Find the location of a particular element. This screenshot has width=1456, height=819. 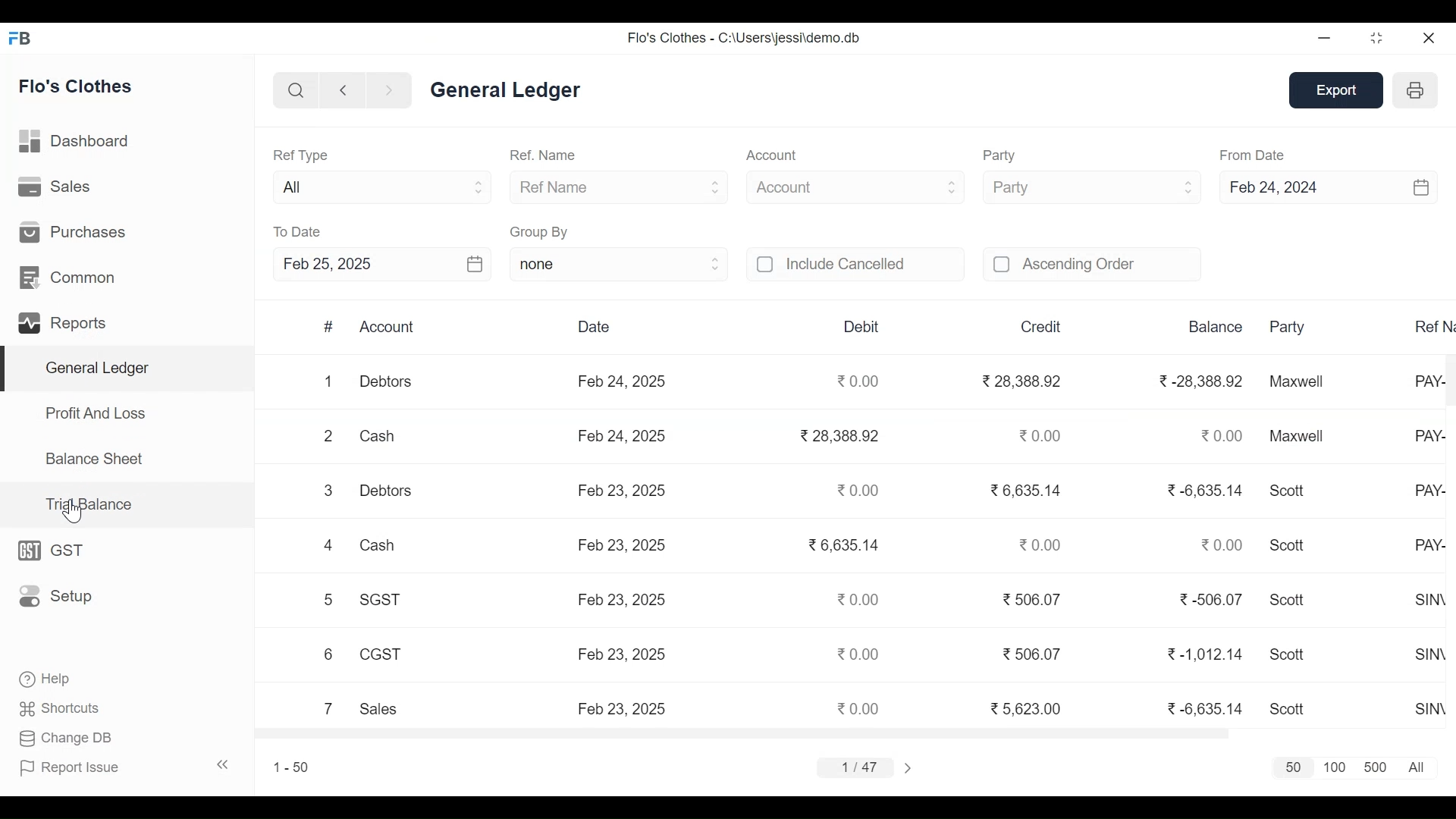

Scott is located at coordinates (1288, 598).